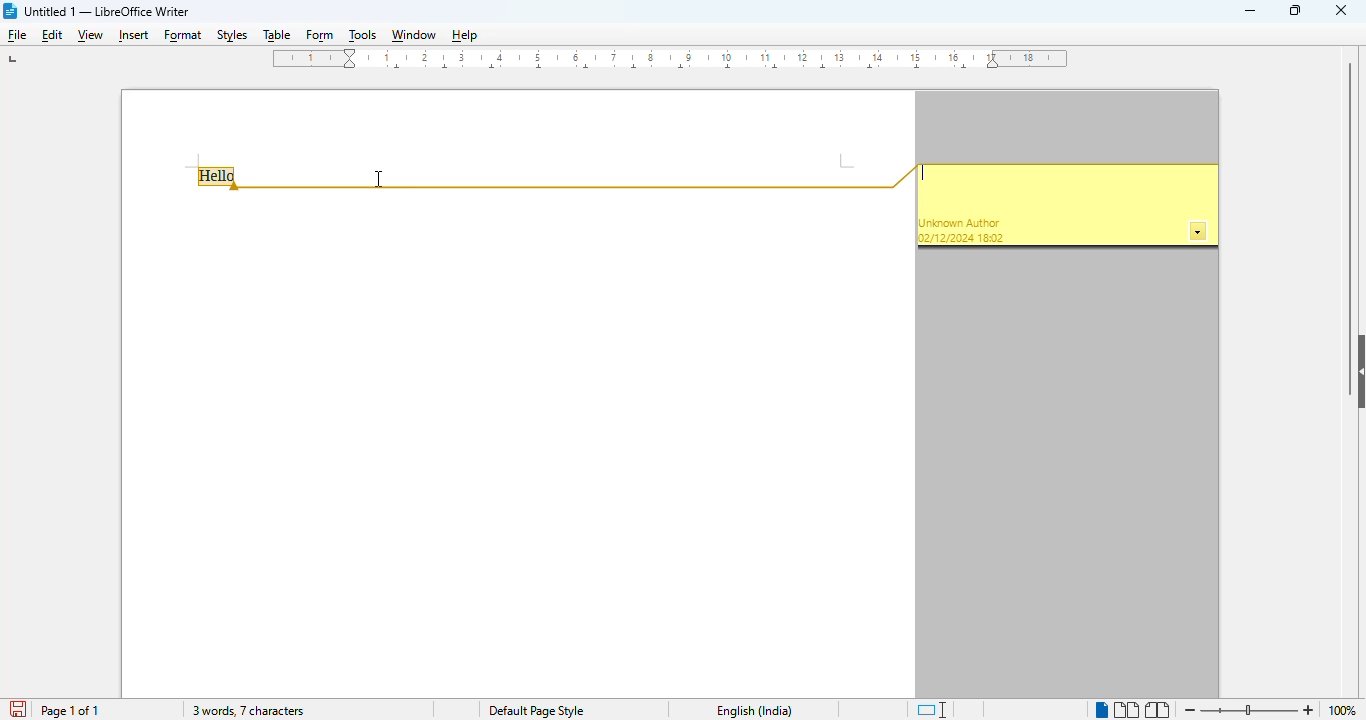 This screenshot has width=1366, height=720. I want to click on zoom factor, so click(1348, 711).